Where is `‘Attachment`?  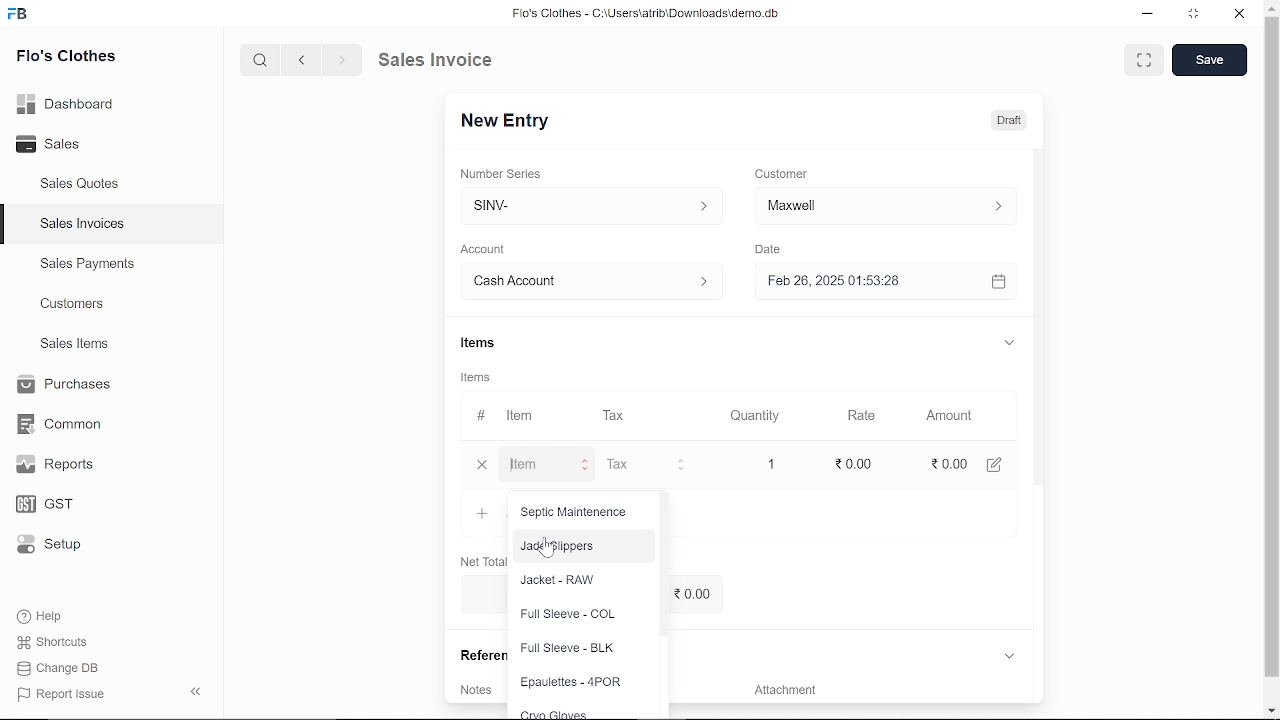 ‘Attachment is located at coordinates (790, 690).